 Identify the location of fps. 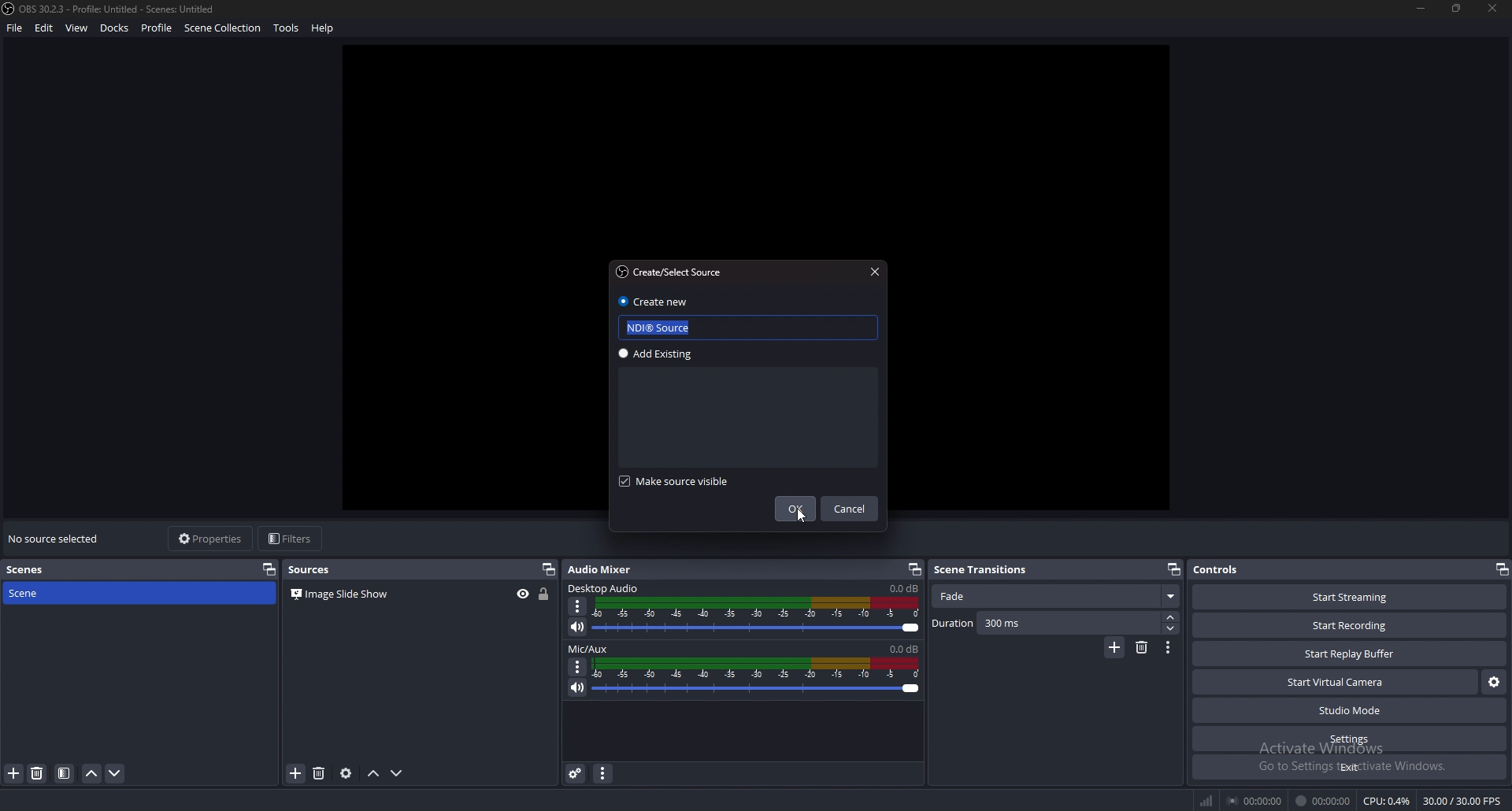
(1460, 798).